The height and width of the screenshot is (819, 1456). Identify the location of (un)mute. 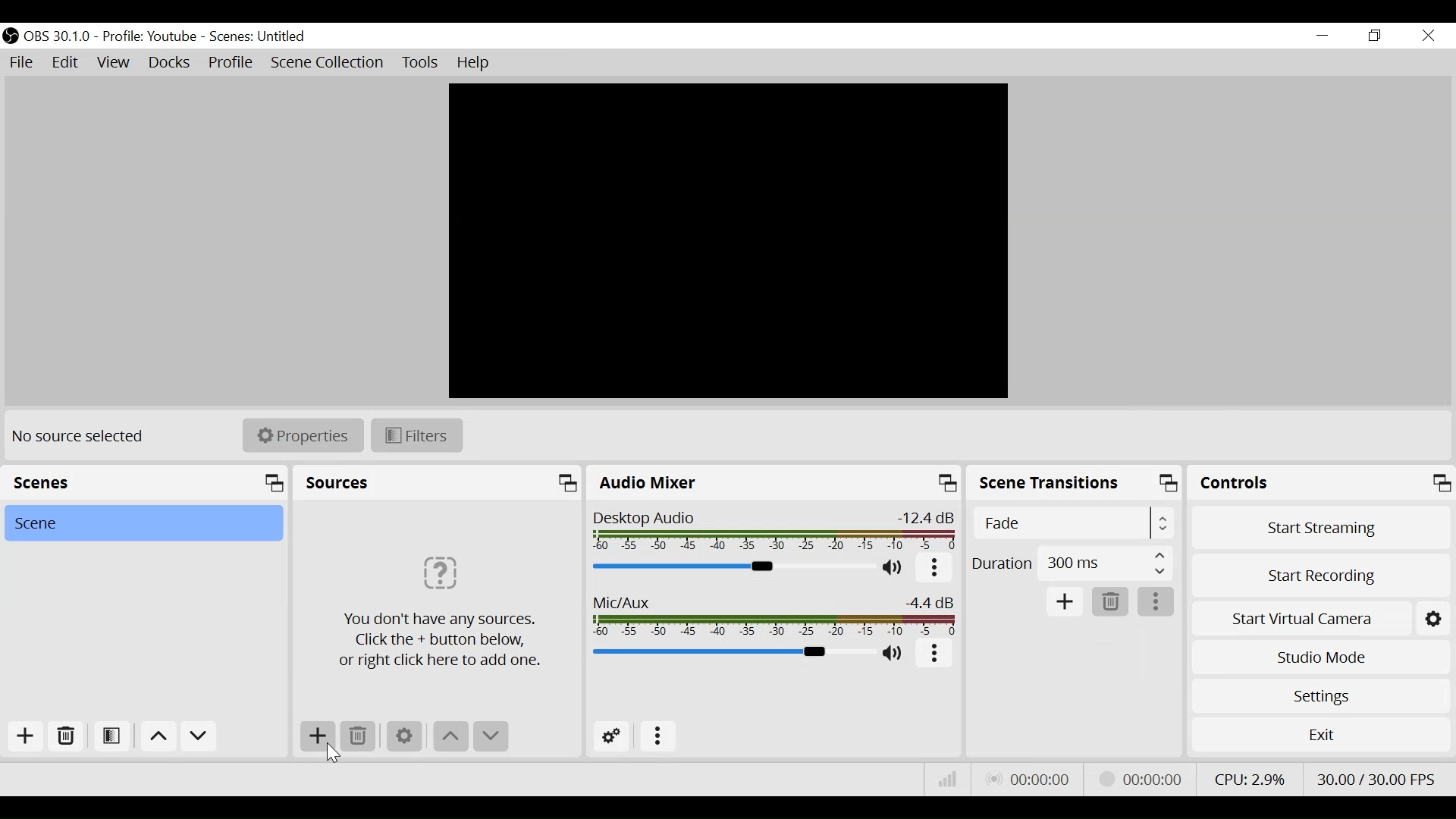
(895, 653).